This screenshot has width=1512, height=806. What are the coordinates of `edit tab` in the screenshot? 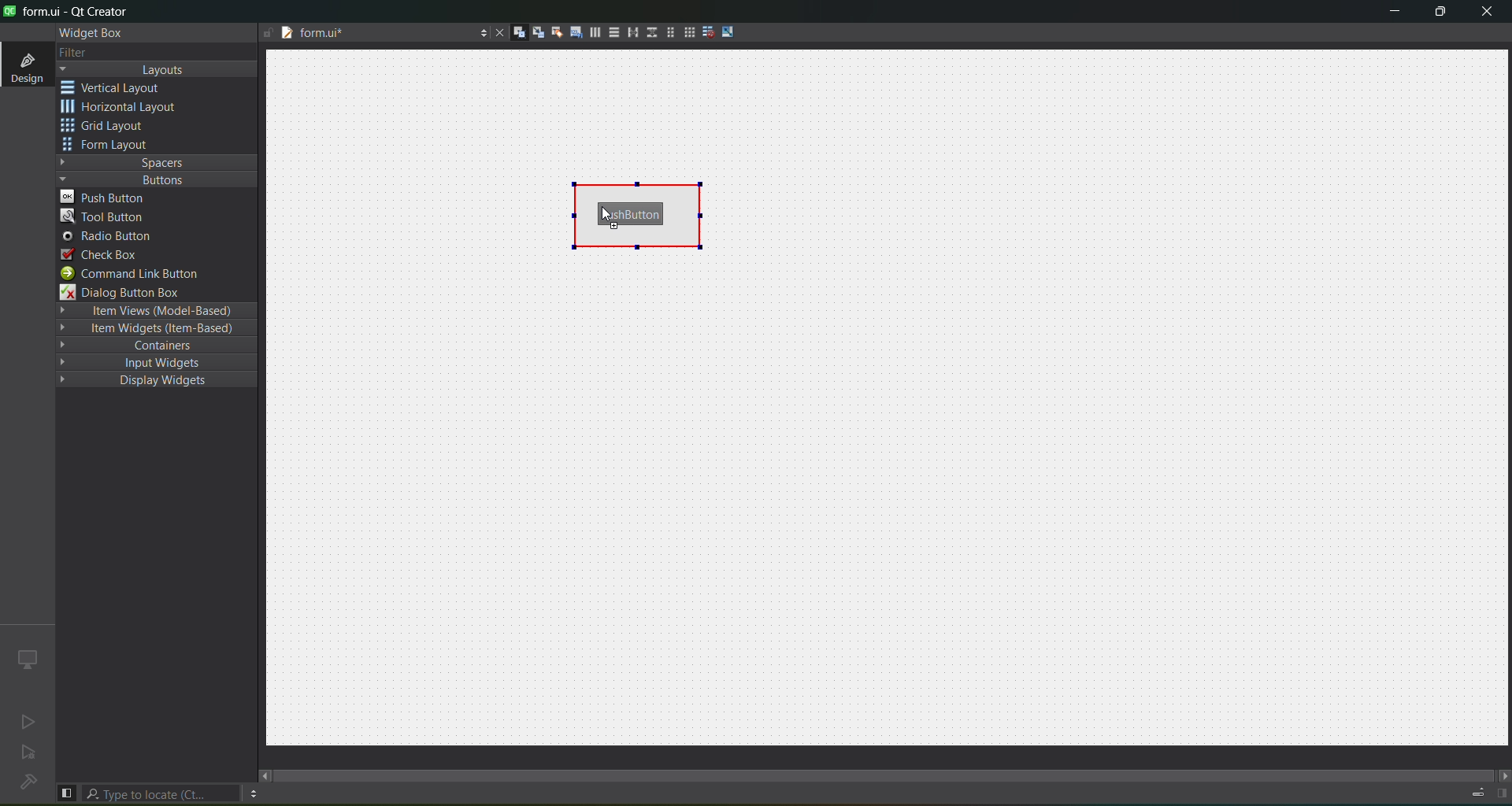 It's located at (576, 35).